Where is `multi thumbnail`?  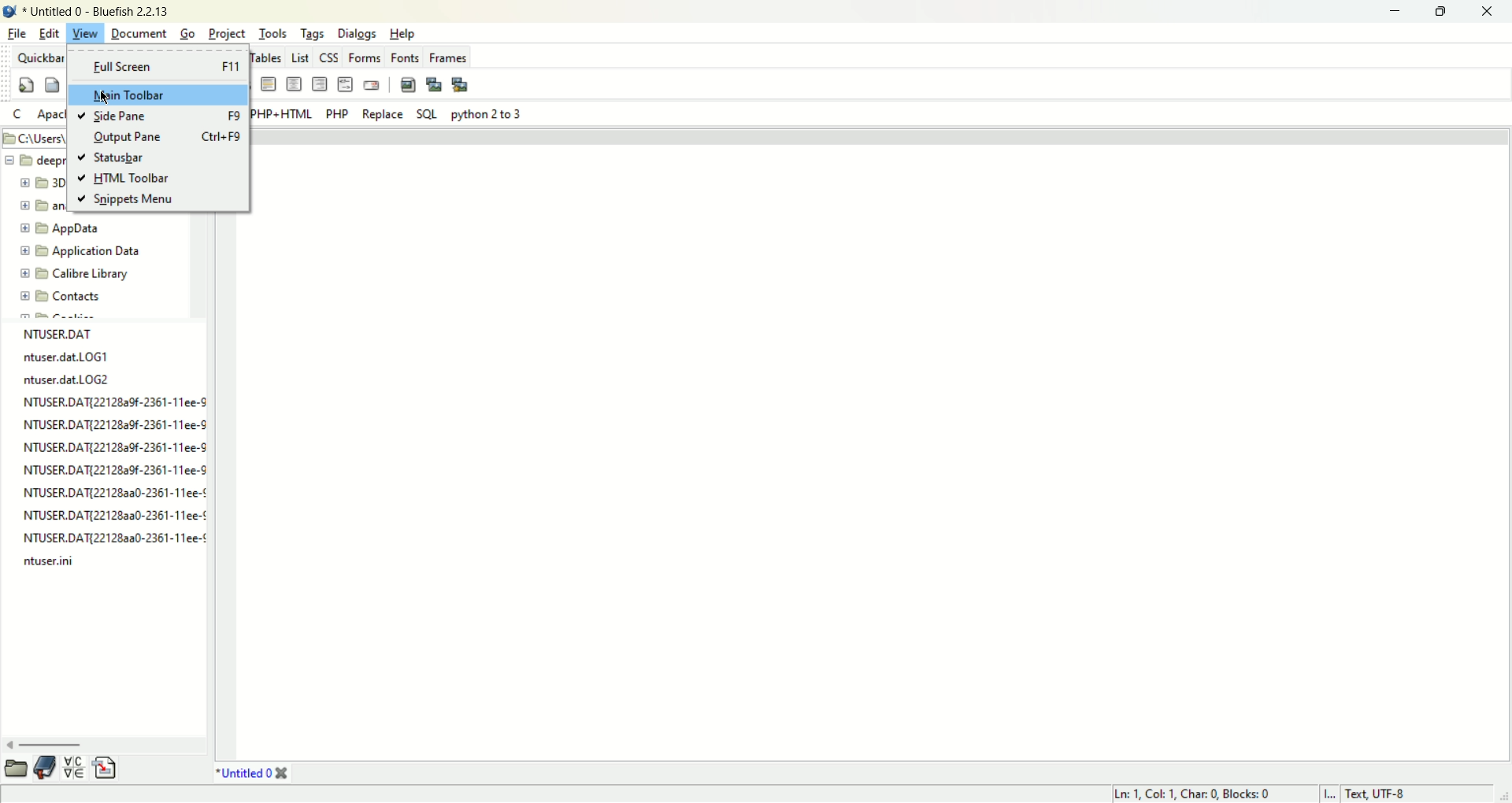 multi thumbnail is located at coordinates (460, 83).